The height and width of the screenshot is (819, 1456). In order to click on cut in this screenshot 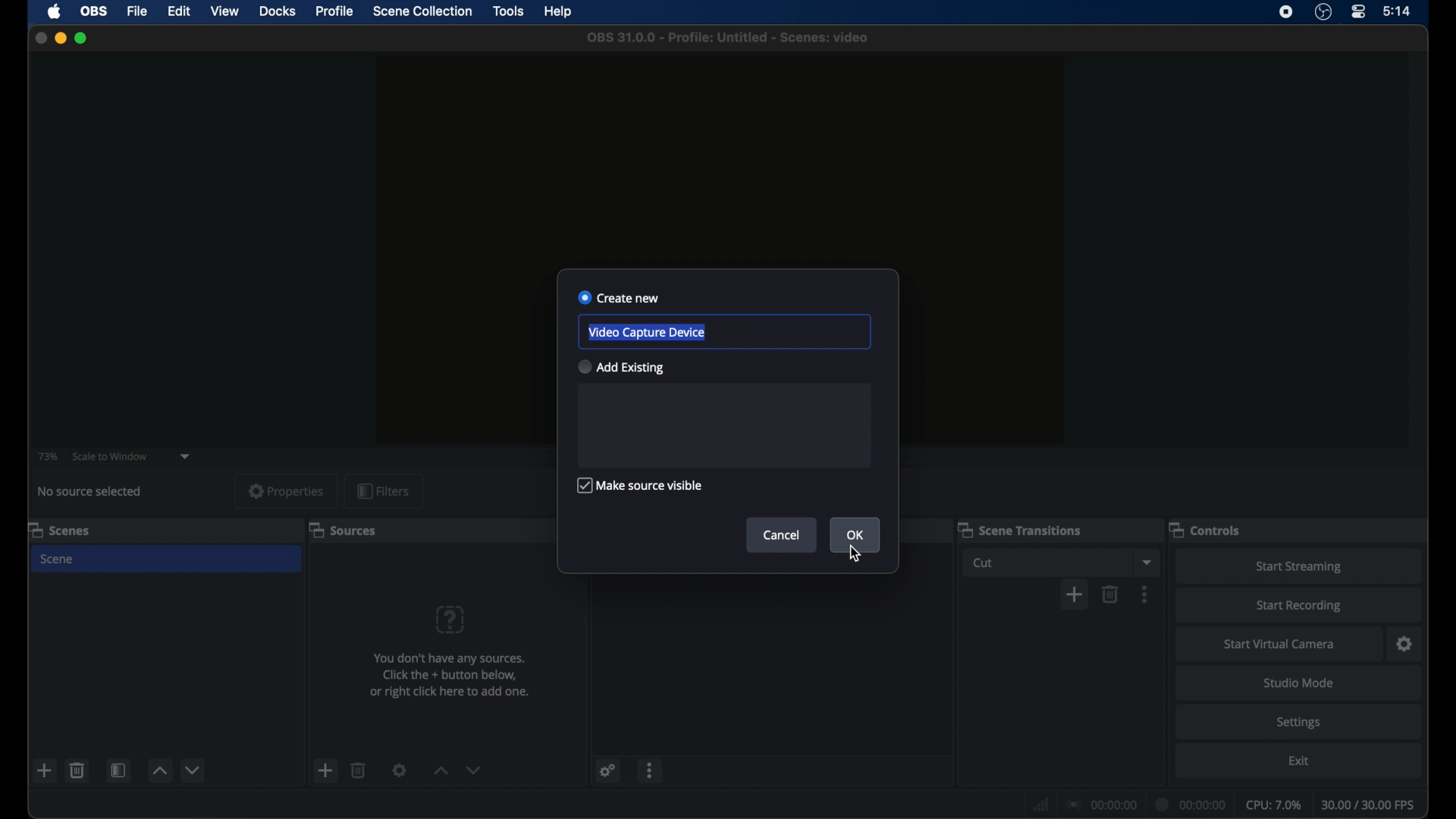, I will do `click(986, 563)`.